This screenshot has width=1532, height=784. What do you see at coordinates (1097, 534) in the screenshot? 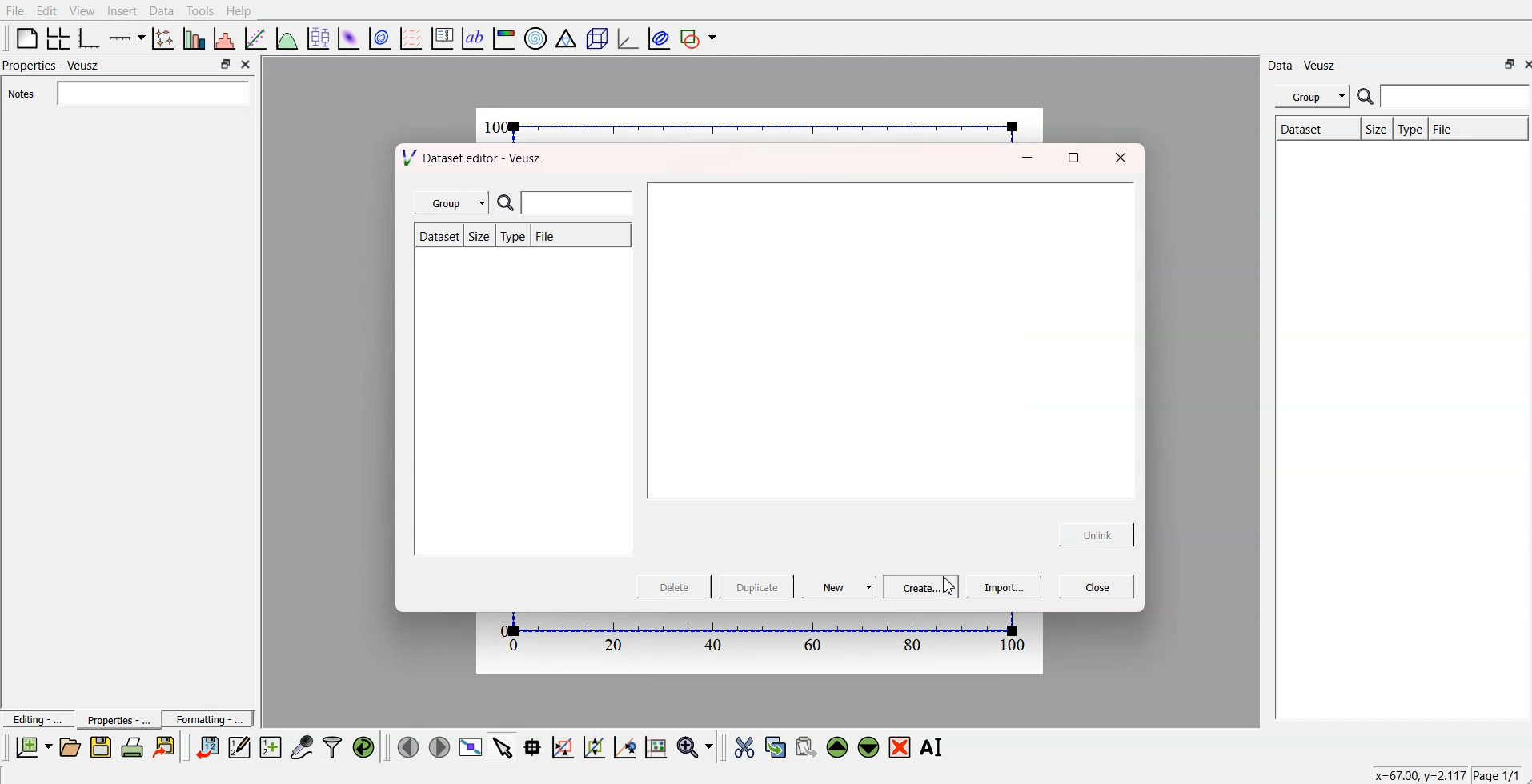
I see `Unlink` at bounding box center [1097, 534].